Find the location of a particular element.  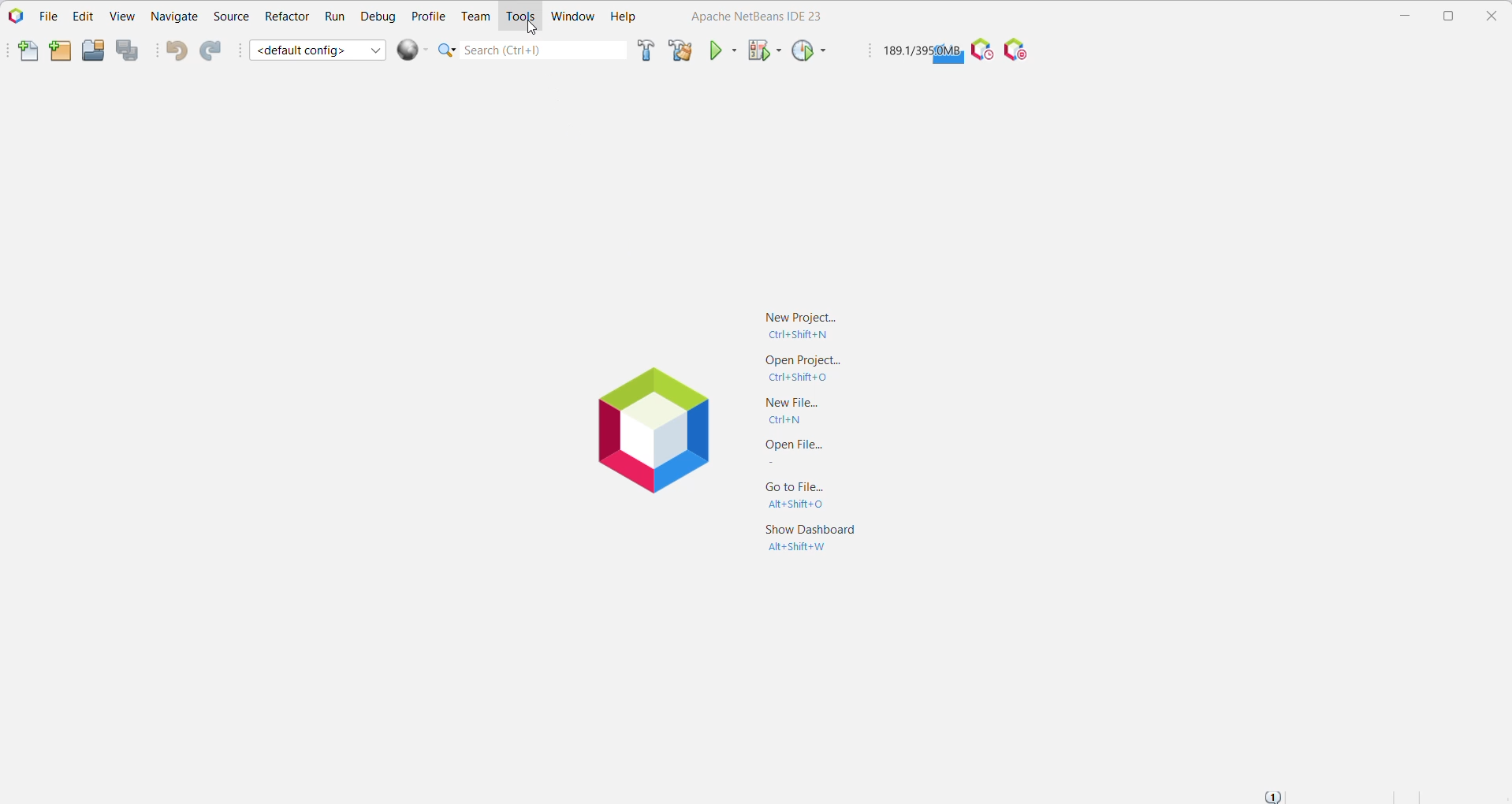

Run is located at coordinates (333, 17).